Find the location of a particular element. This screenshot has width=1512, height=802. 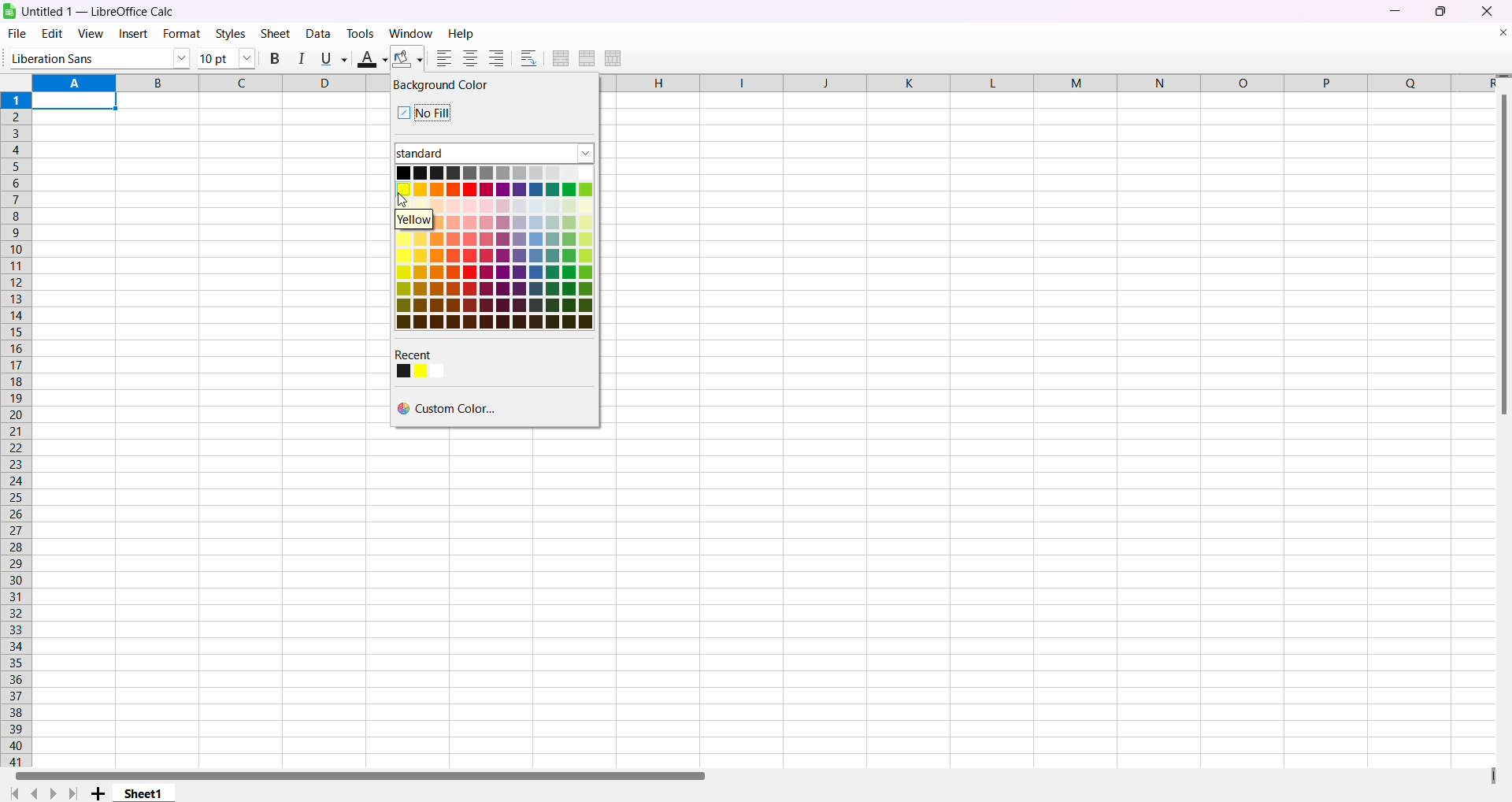

dropdown is located at coordinates (586, 150).